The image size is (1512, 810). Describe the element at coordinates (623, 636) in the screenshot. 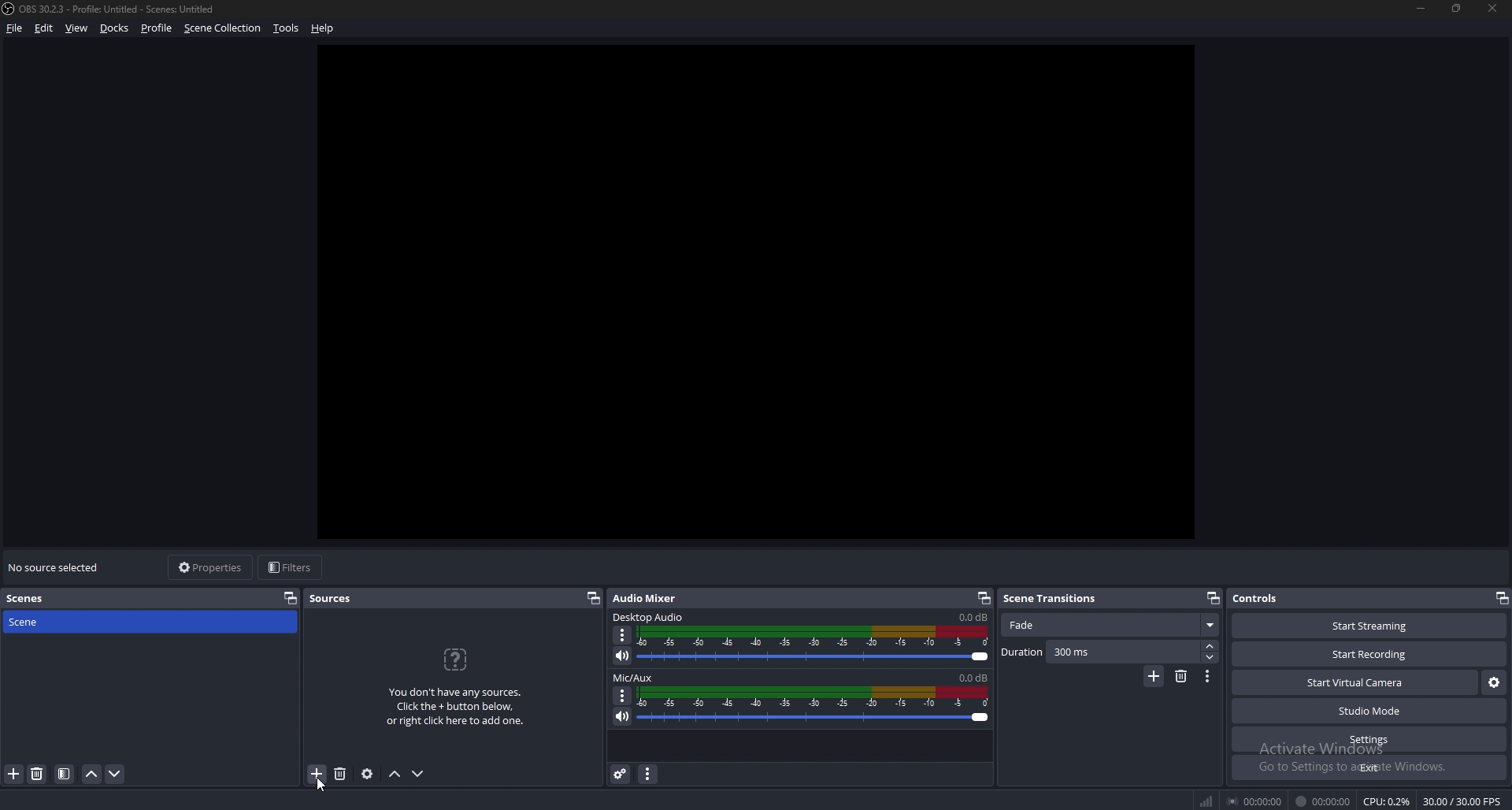

I see `Options` at that location.